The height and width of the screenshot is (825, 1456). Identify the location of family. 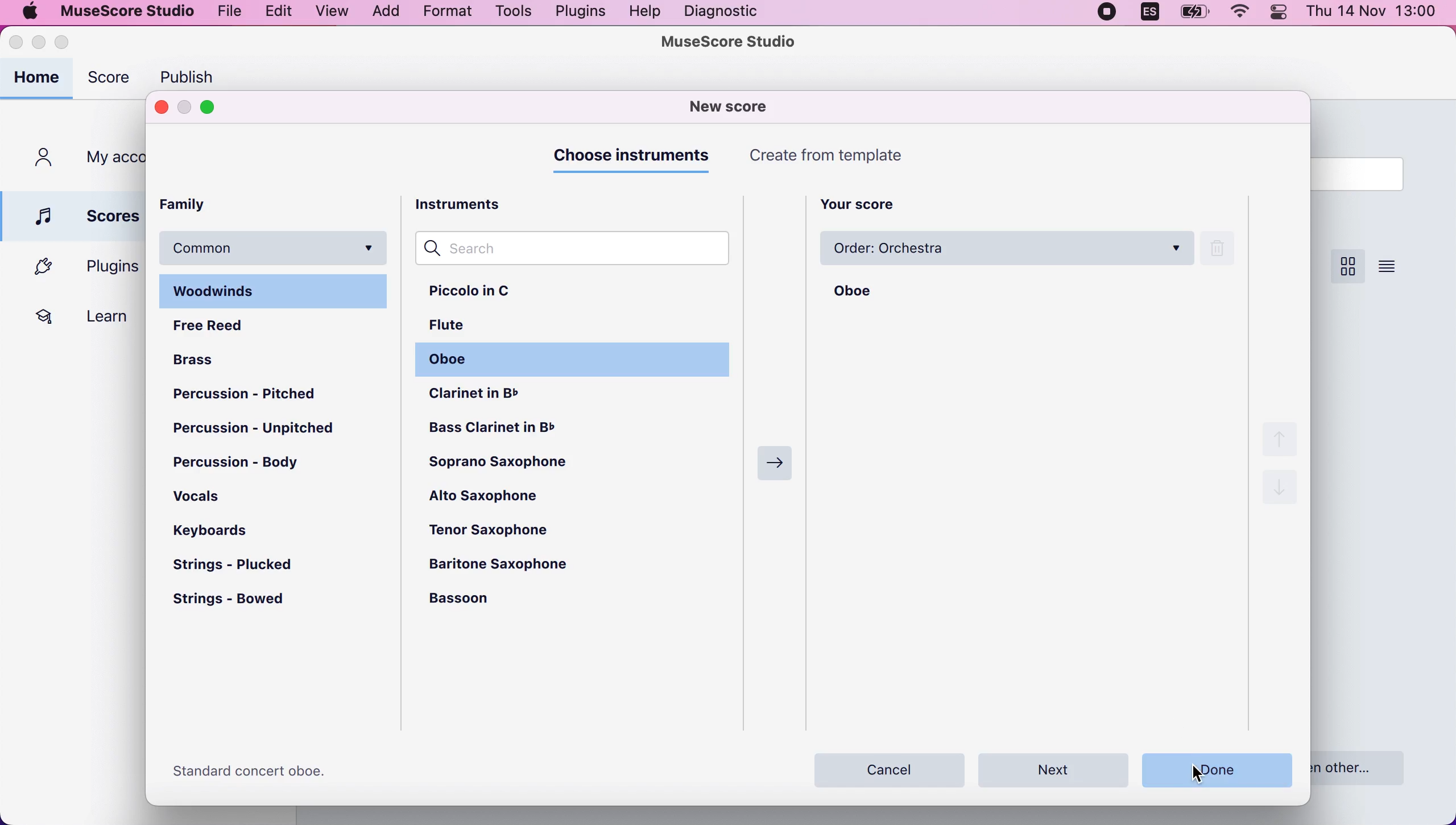
(193, 204).